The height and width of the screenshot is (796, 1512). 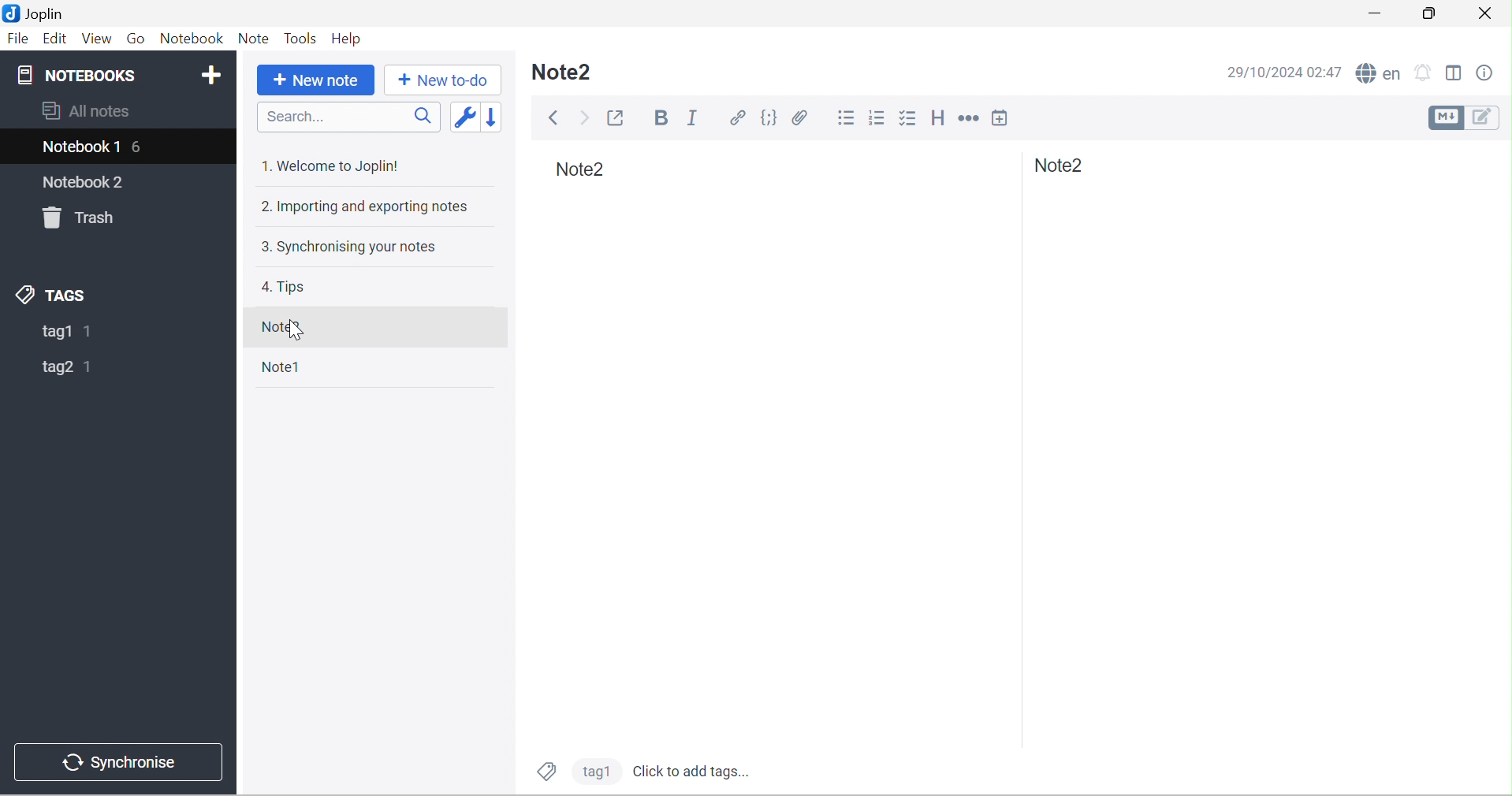 I want to click on 1, so click(x=93, y=332).